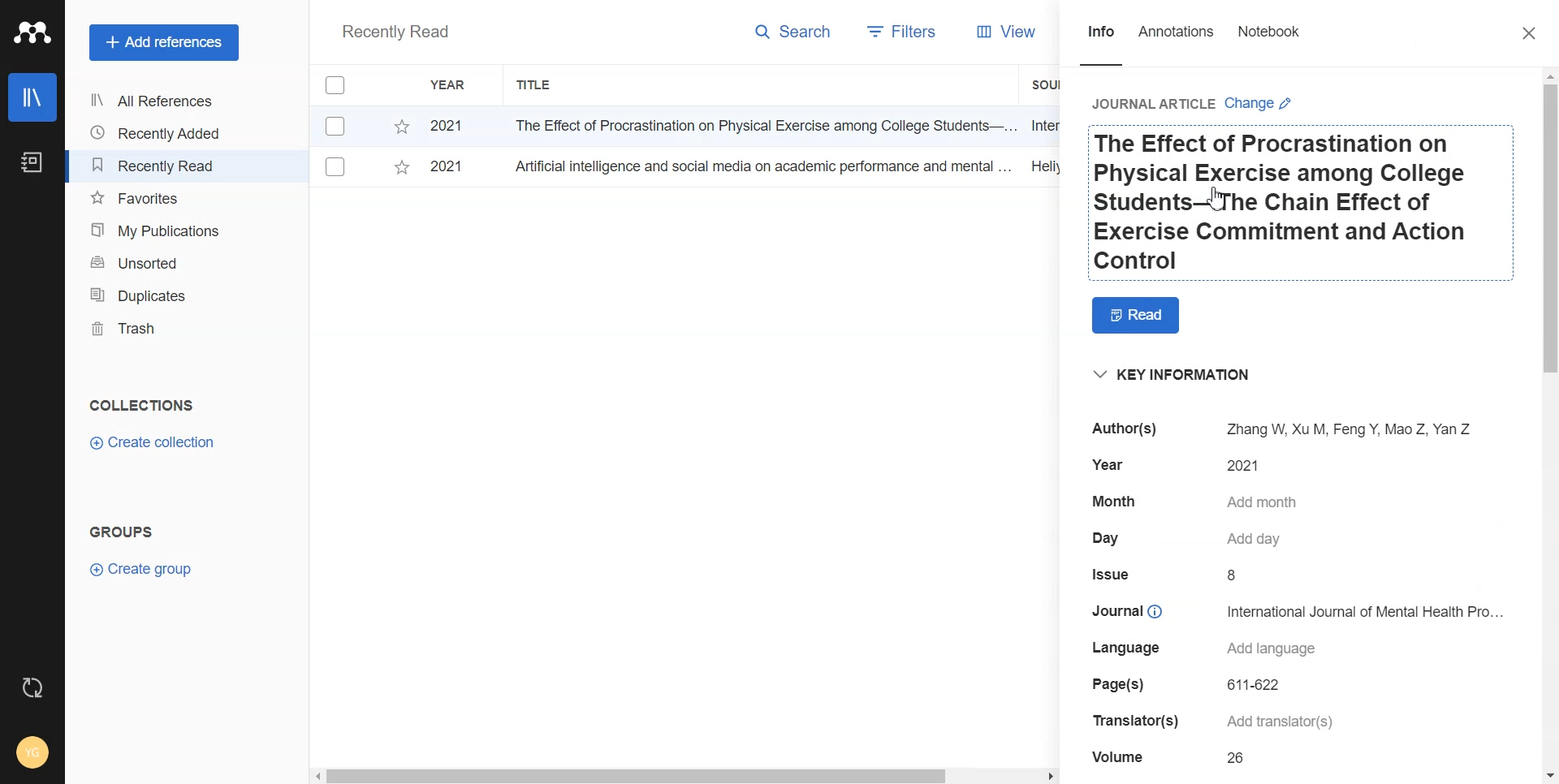 This screenshot has width=1559, height=784. Describe the element at coordinates (1226, 203) in the screenshot. I see `Cursor` at that location.